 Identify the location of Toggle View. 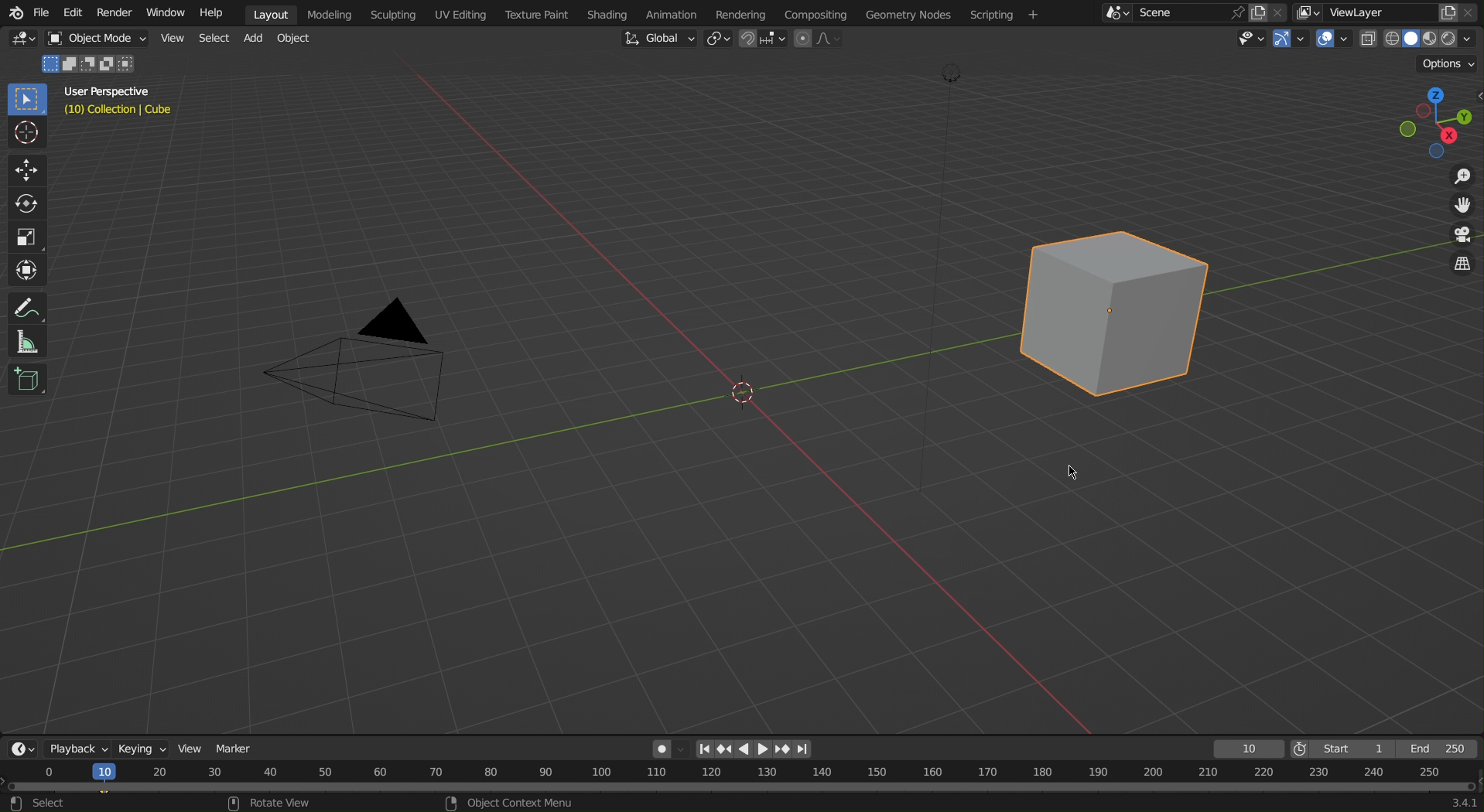
(1460, 266).